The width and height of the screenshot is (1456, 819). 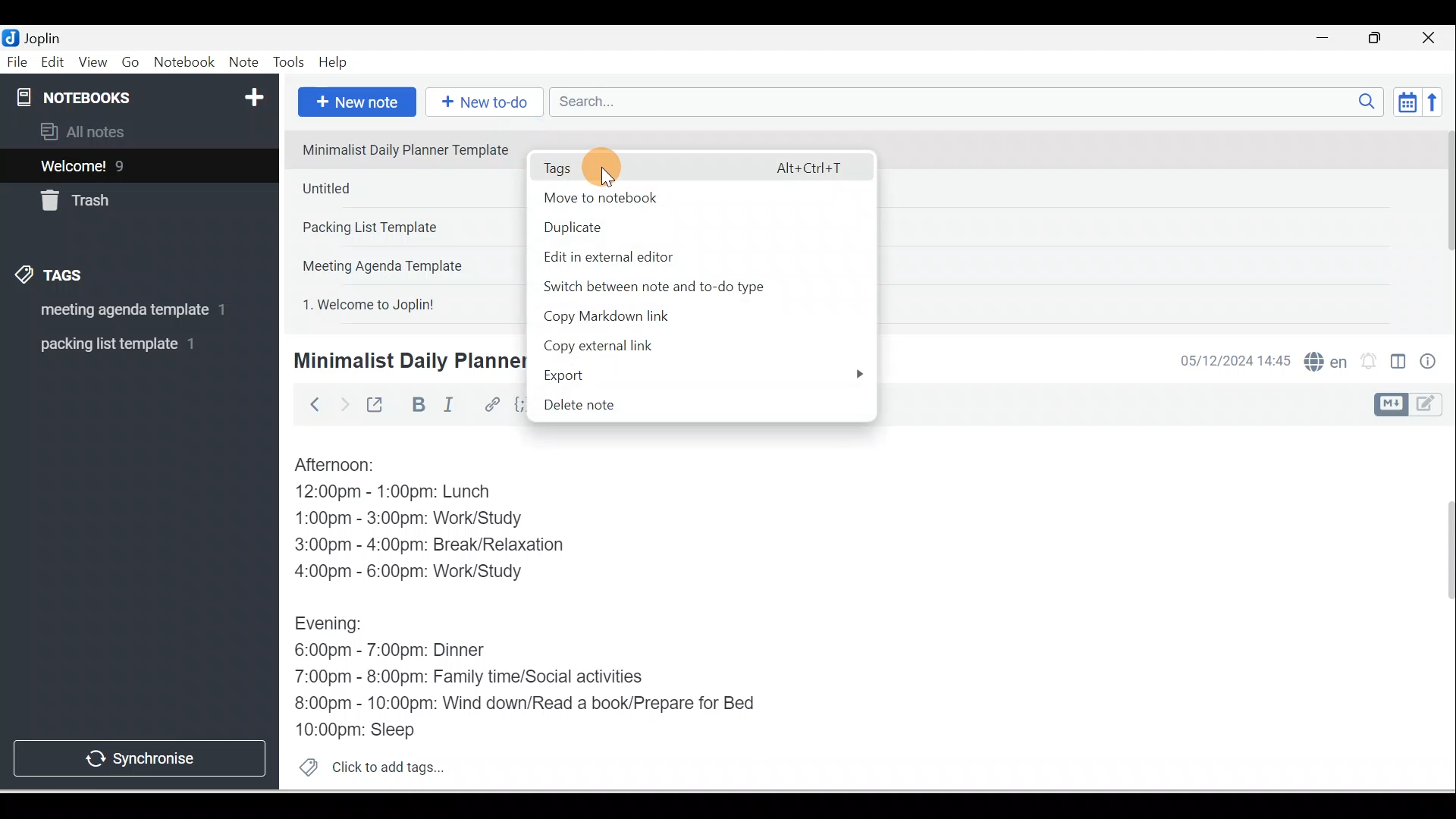 What do you see at coordinates (676, 227) in the screenshot?
I see `Duplicate` at bounding box center [676, 227].